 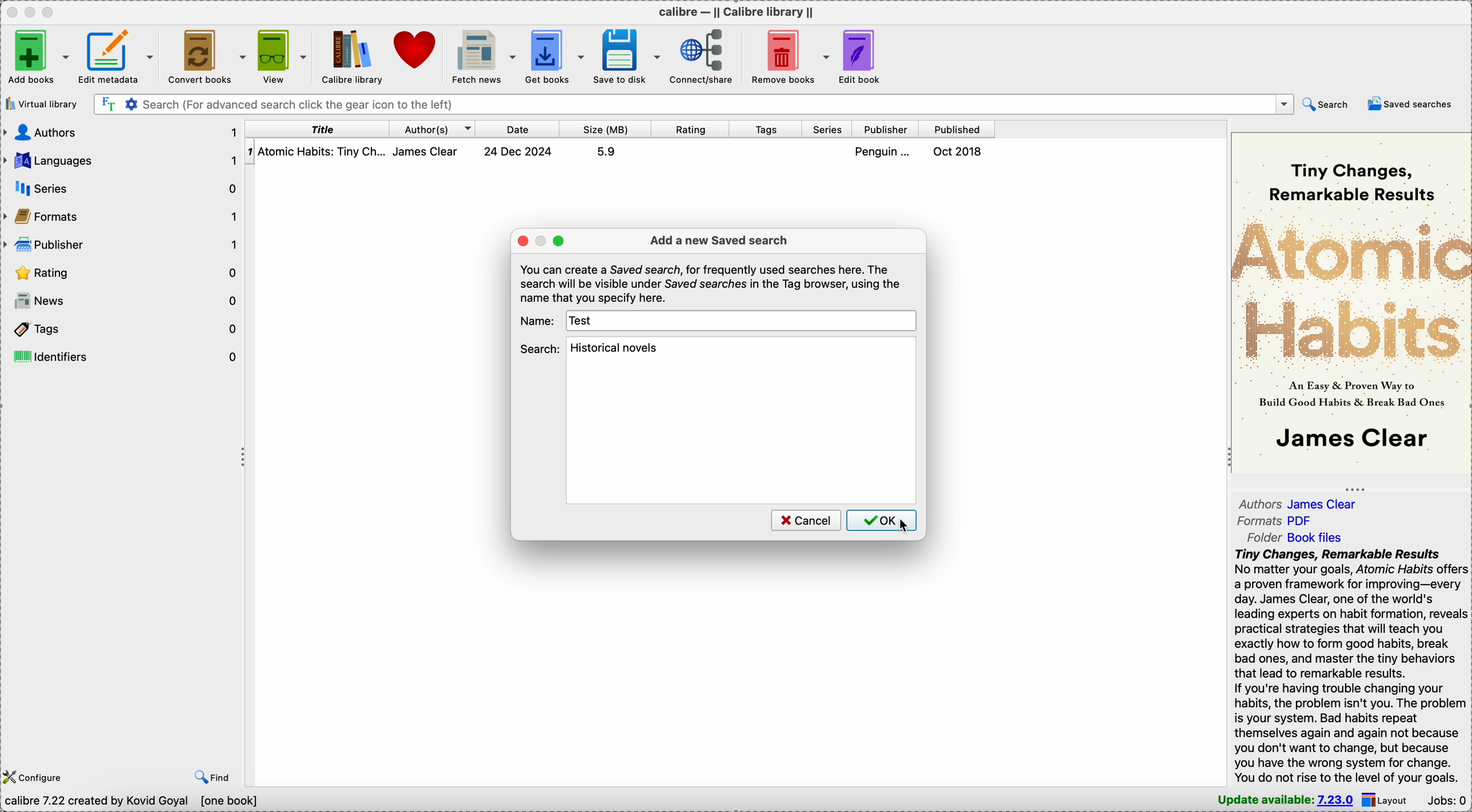 What do you see at coordinates (620, 348) in the screenshot?
I see `historical novels` at bounding box center [620, 348].